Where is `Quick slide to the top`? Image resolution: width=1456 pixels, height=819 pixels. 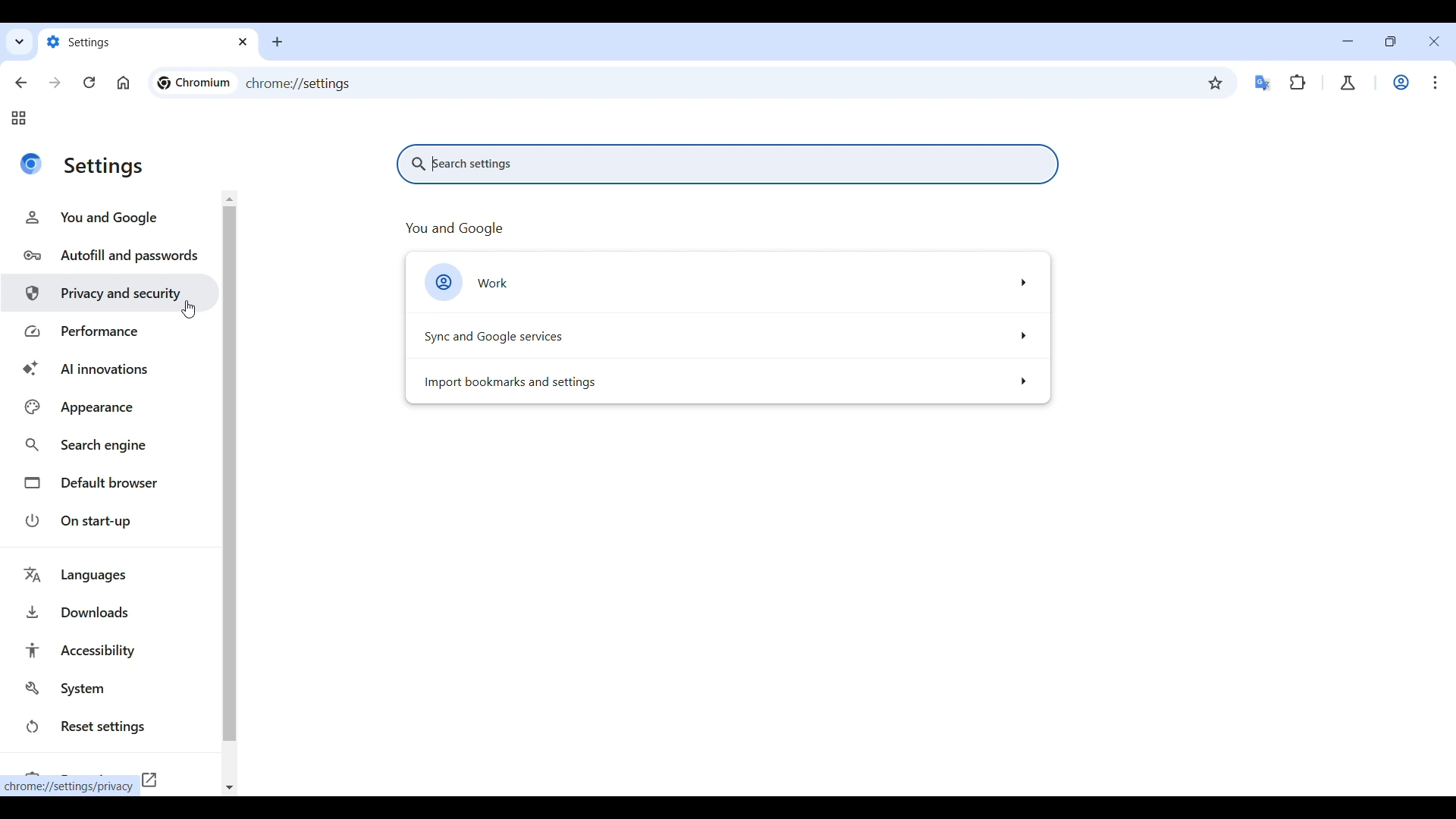 Quick slide to the top is located at coordinates (230, 199).